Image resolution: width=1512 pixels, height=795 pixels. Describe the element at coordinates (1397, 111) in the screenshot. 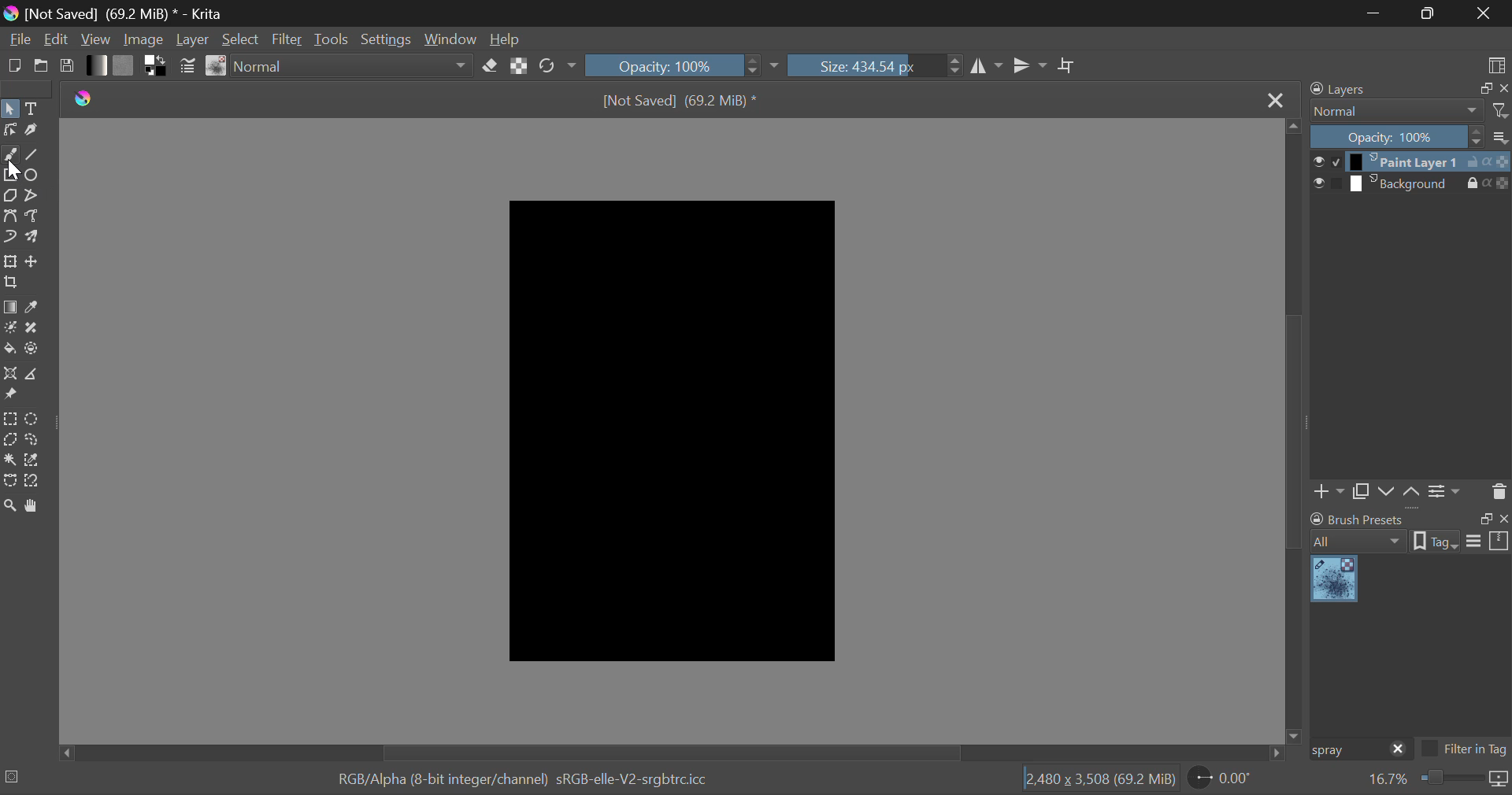

I see `normal` at that location.